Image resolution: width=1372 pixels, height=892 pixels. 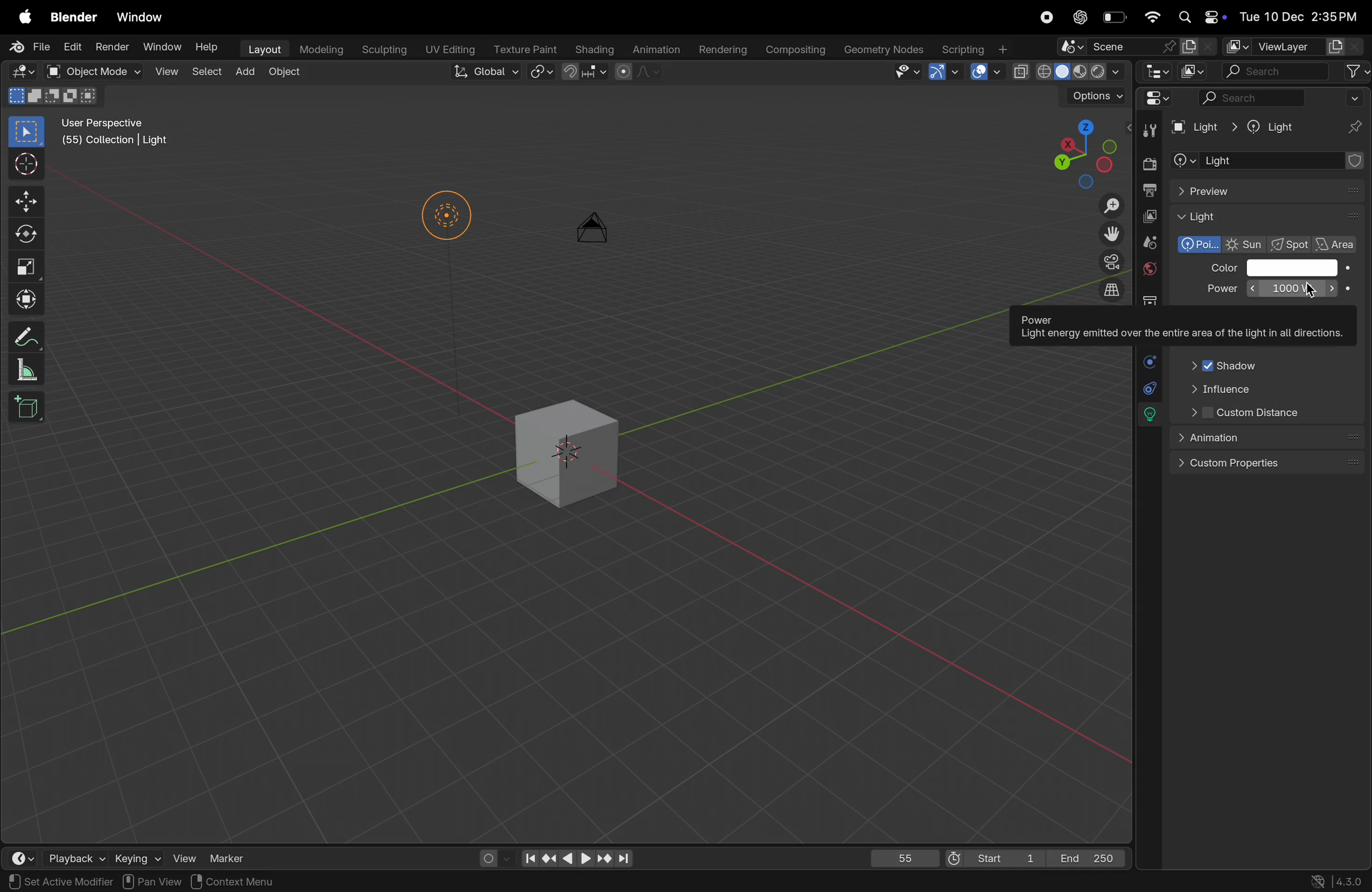 I want to click on editor type, so click(x=1155, y=71).